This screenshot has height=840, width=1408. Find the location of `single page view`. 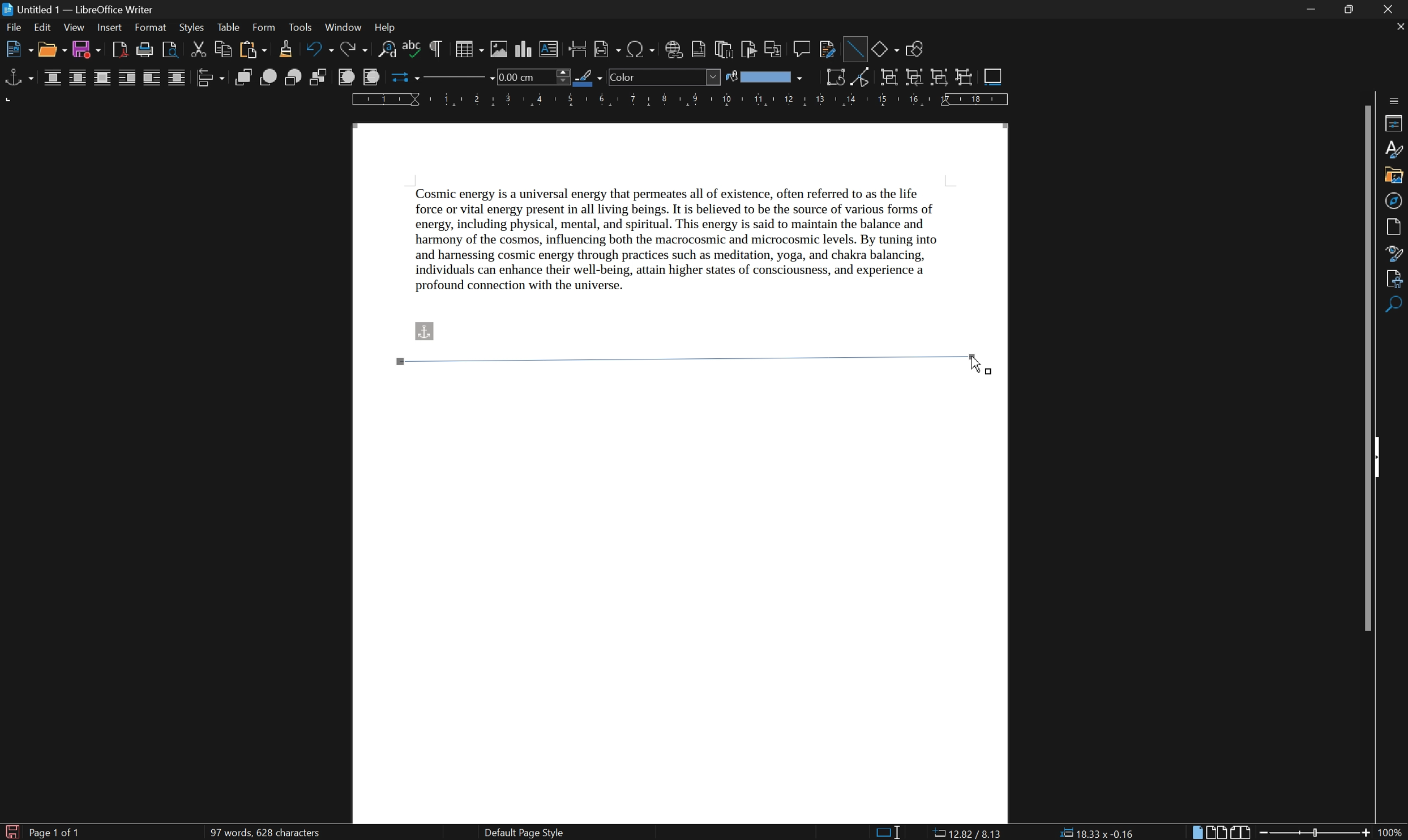

single page view is located at coordinates (1197, 833).